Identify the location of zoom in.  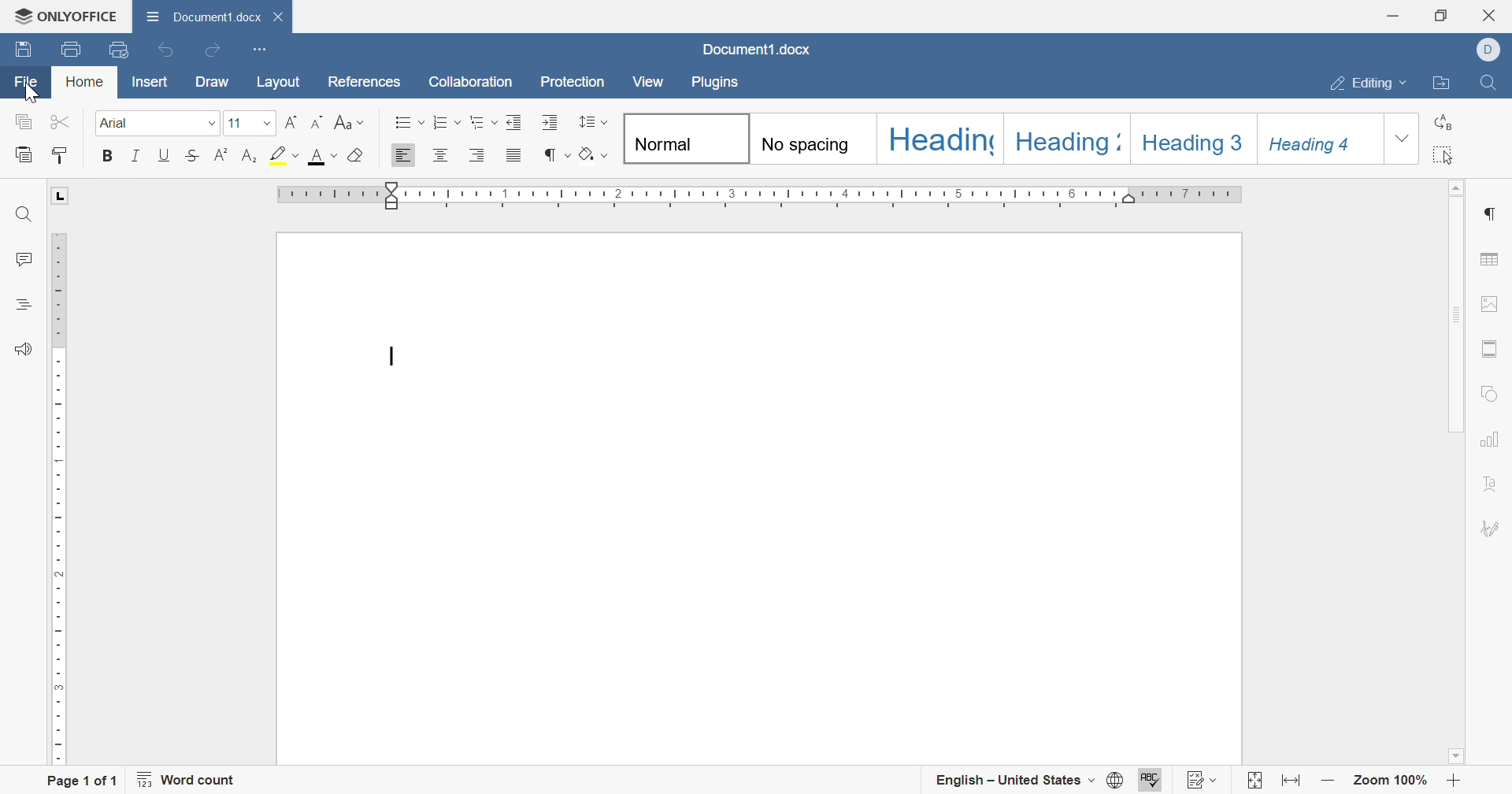
(1453, 782).